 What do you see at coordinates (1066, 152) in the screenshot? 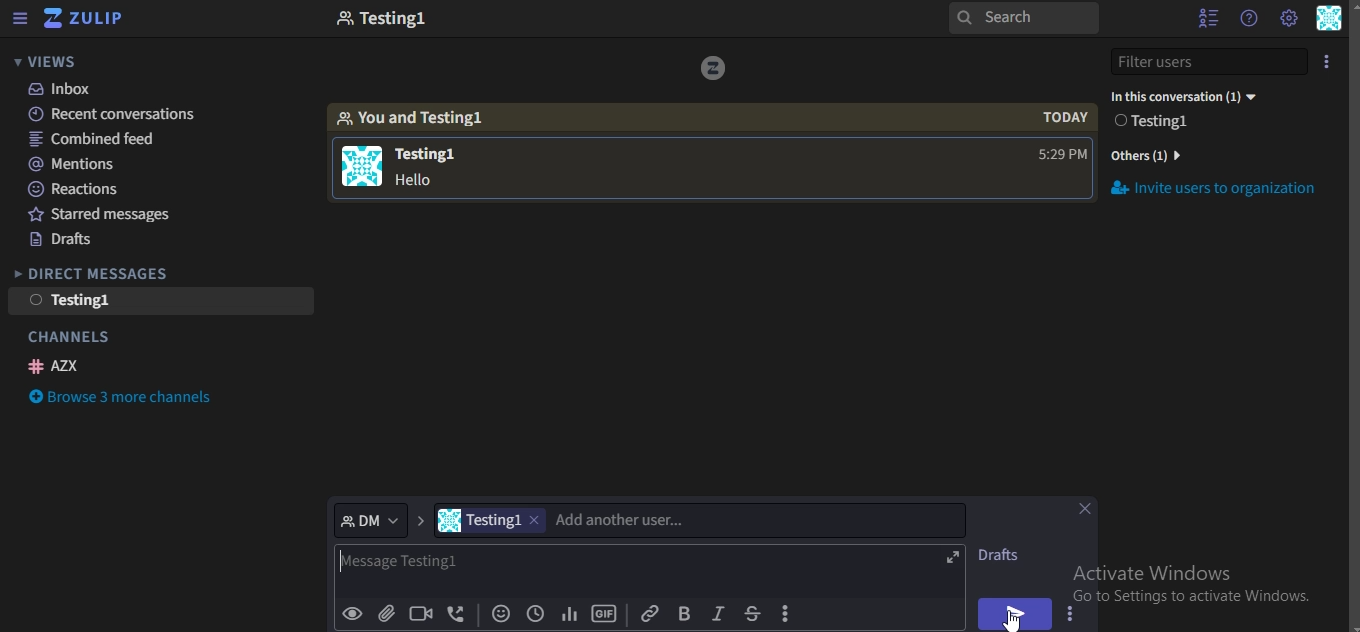
I see `time` at bounding box center [1066, 152].